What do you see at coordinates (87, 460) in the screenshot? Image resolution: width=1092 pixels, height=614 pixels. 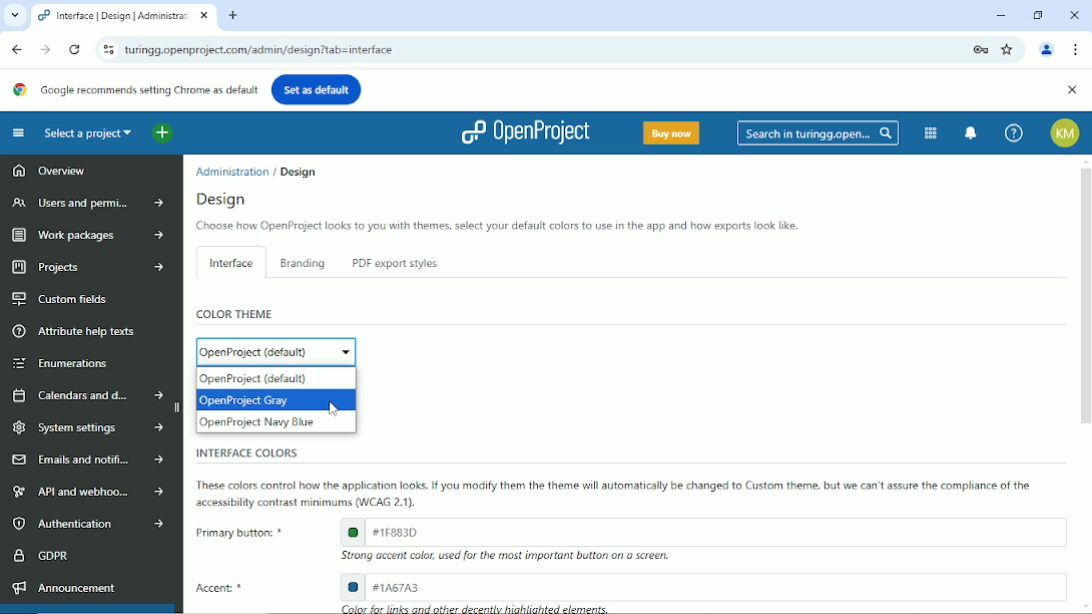 I see `Emails and notifications` at bounding box center [87, 460].